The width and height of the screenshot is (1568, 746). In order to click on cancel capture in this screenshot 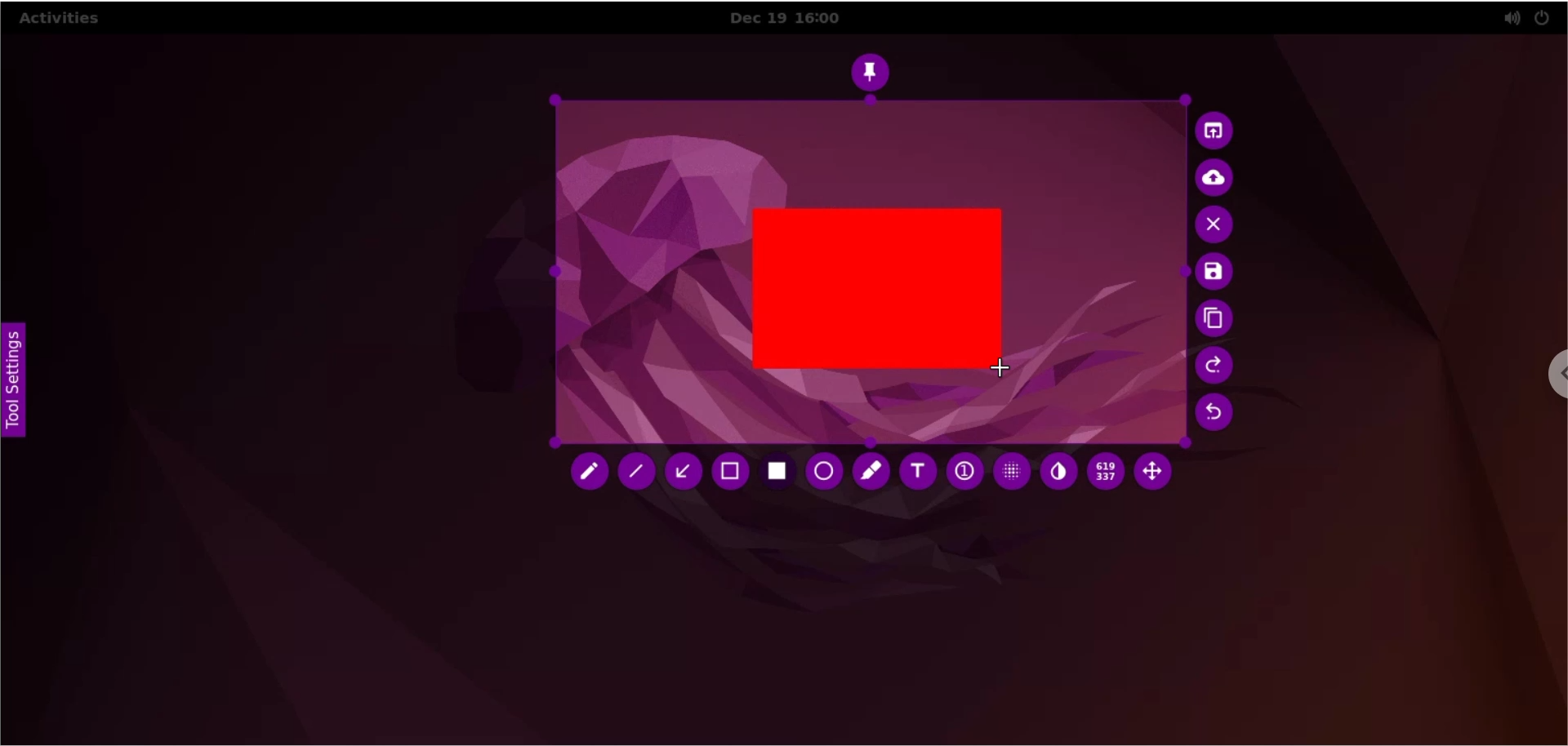, I will do `click(1216, 226)`.